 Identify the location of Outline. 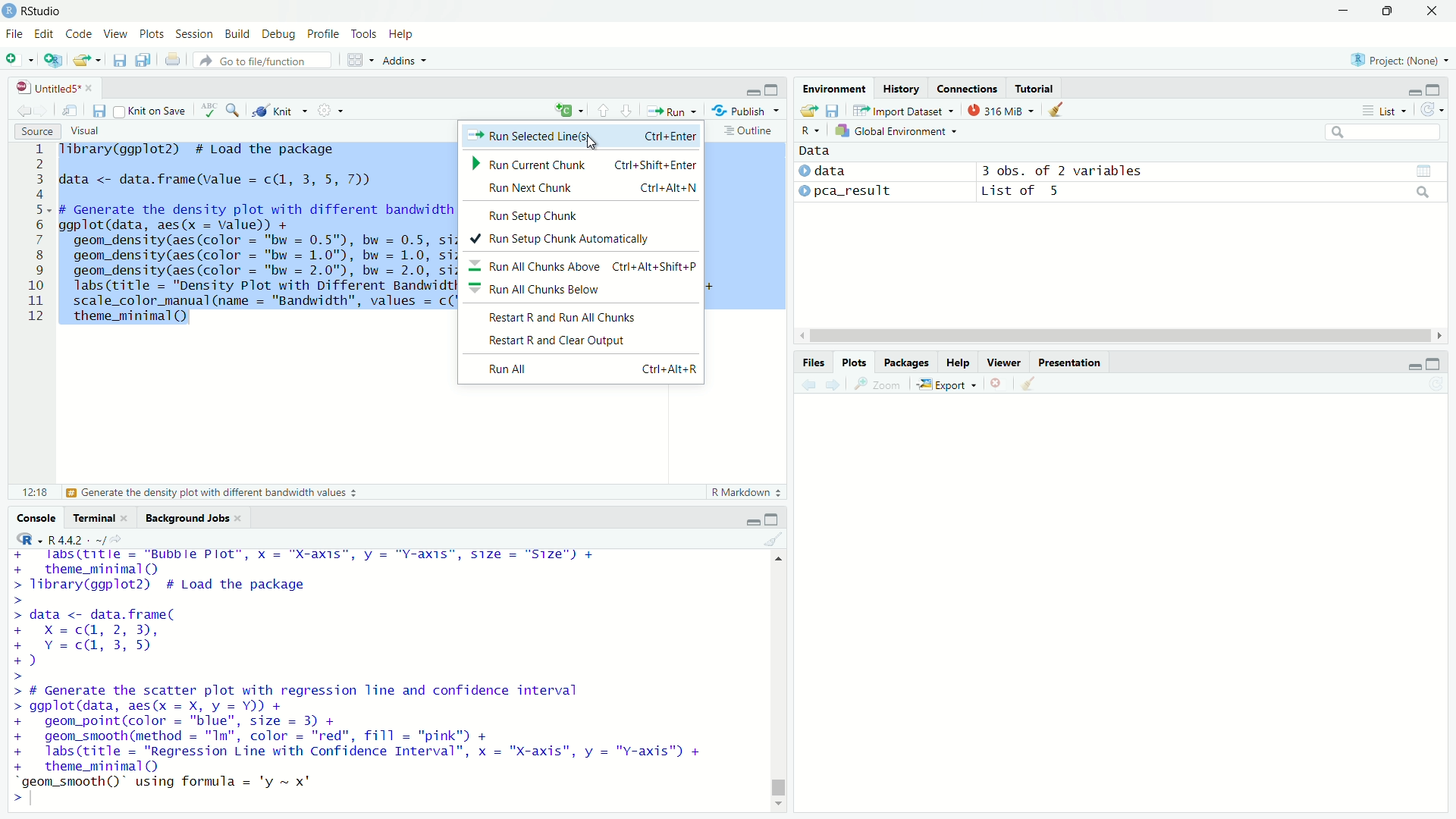
(752, 130).